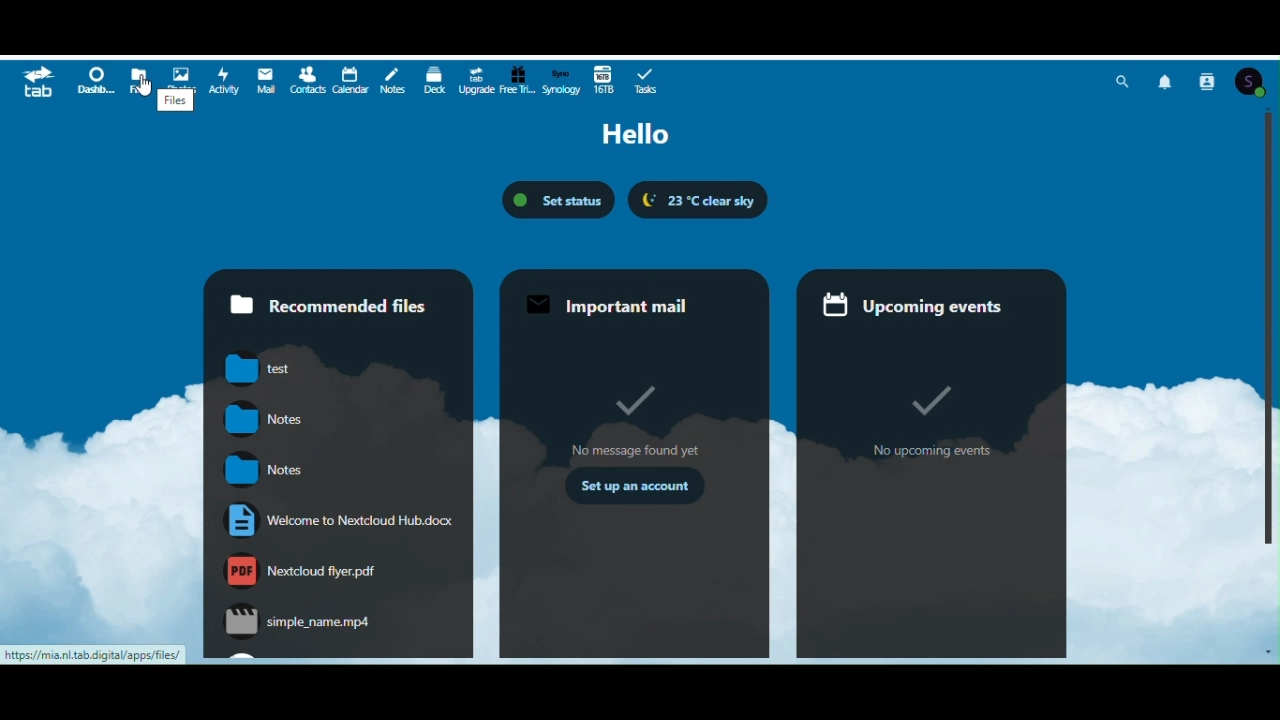 This screenshot has height=720, width=1280. I want to click on no upcoming events, so click(944, 453).